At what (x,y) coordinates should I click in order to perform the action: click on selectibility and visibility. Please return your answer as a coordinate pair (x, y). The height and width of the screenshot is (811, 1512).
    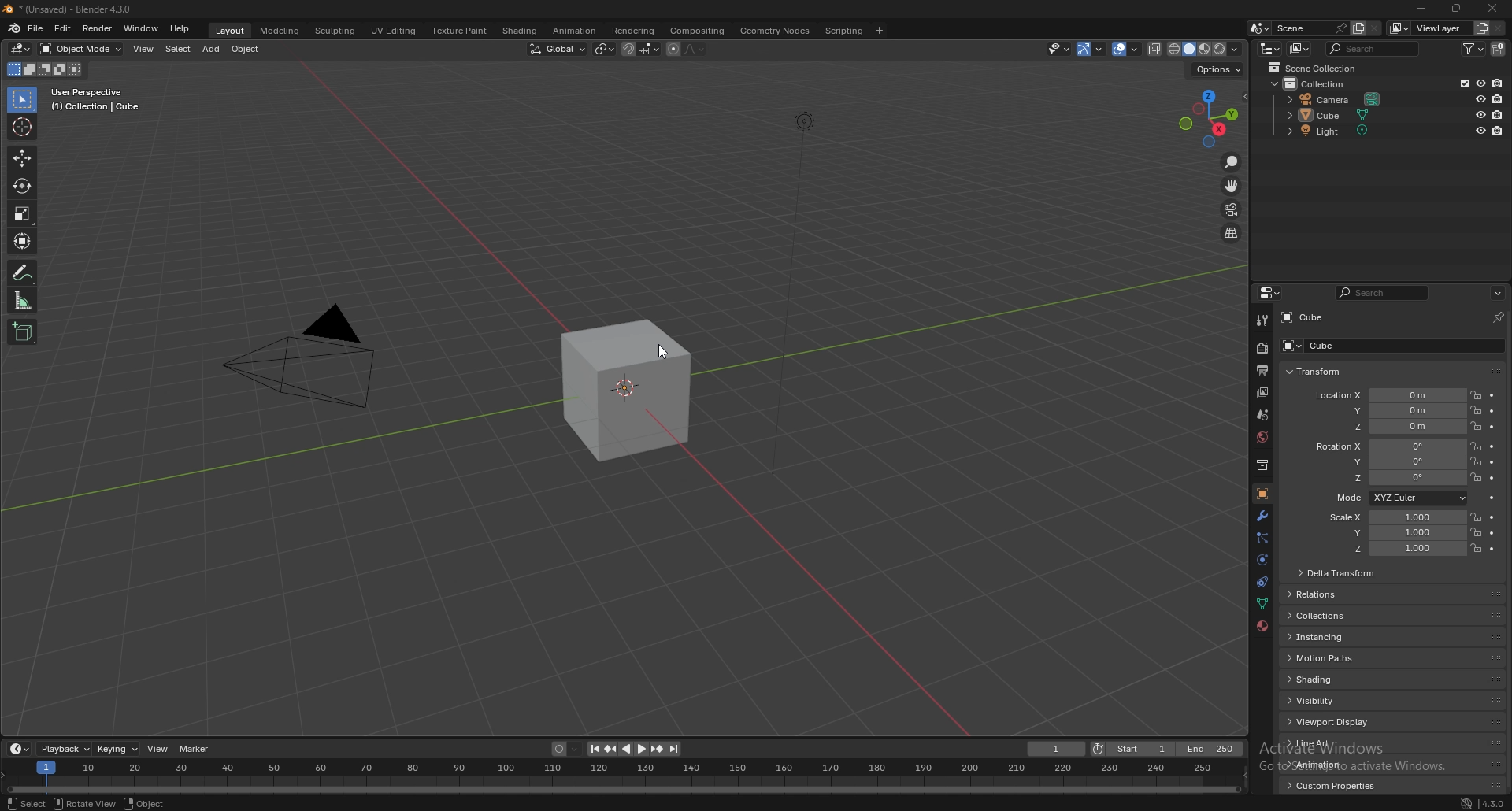
    Looking at the image, I should click on (1058, 50).